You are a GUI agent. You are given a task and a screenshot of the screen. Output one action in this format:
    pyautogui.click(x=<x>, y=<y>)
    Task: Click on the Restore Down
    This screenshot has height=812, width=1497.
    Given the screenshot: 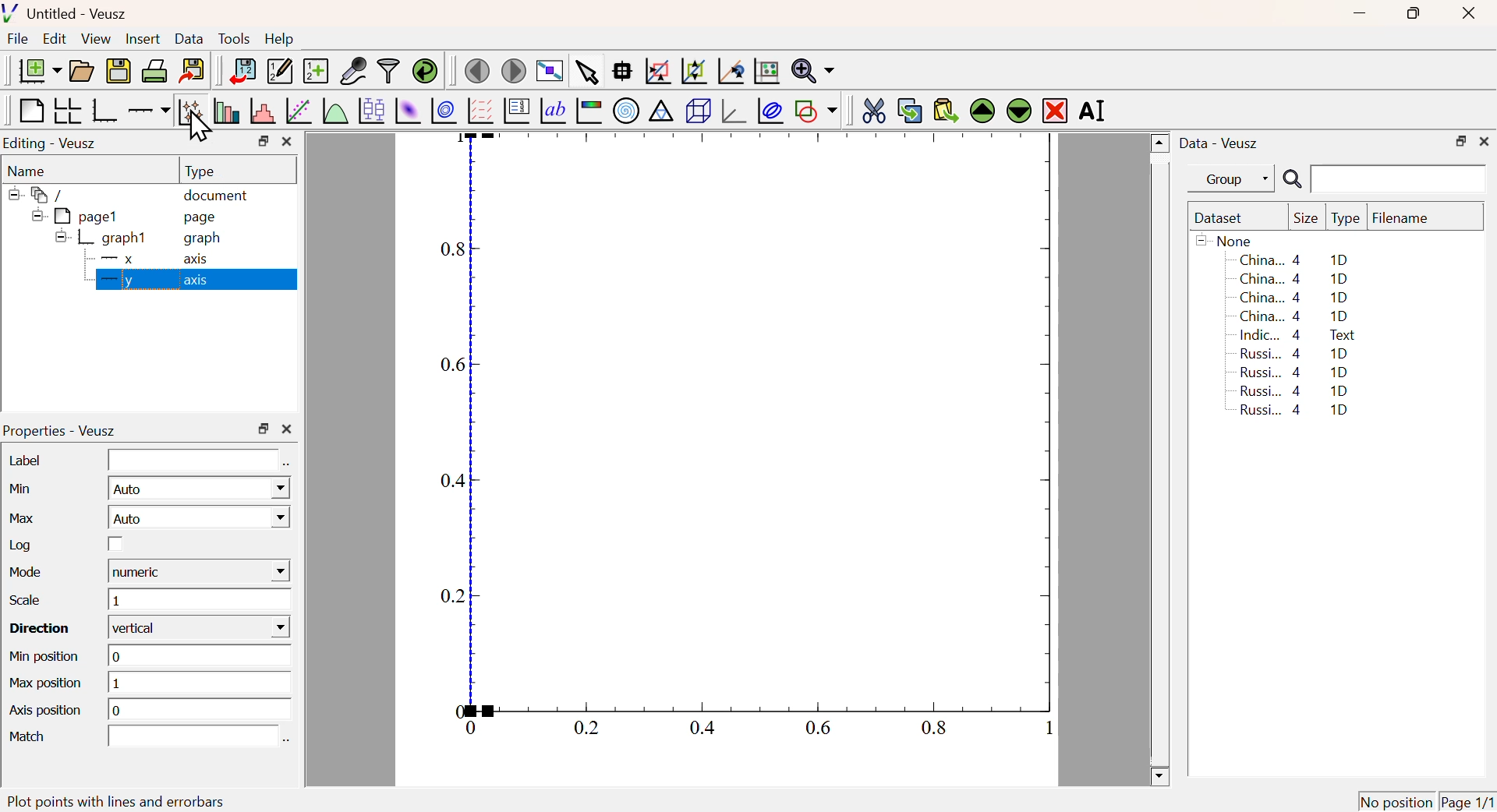 What is the action you would take?
    pyautogui.click(x=1460, y=142)
    